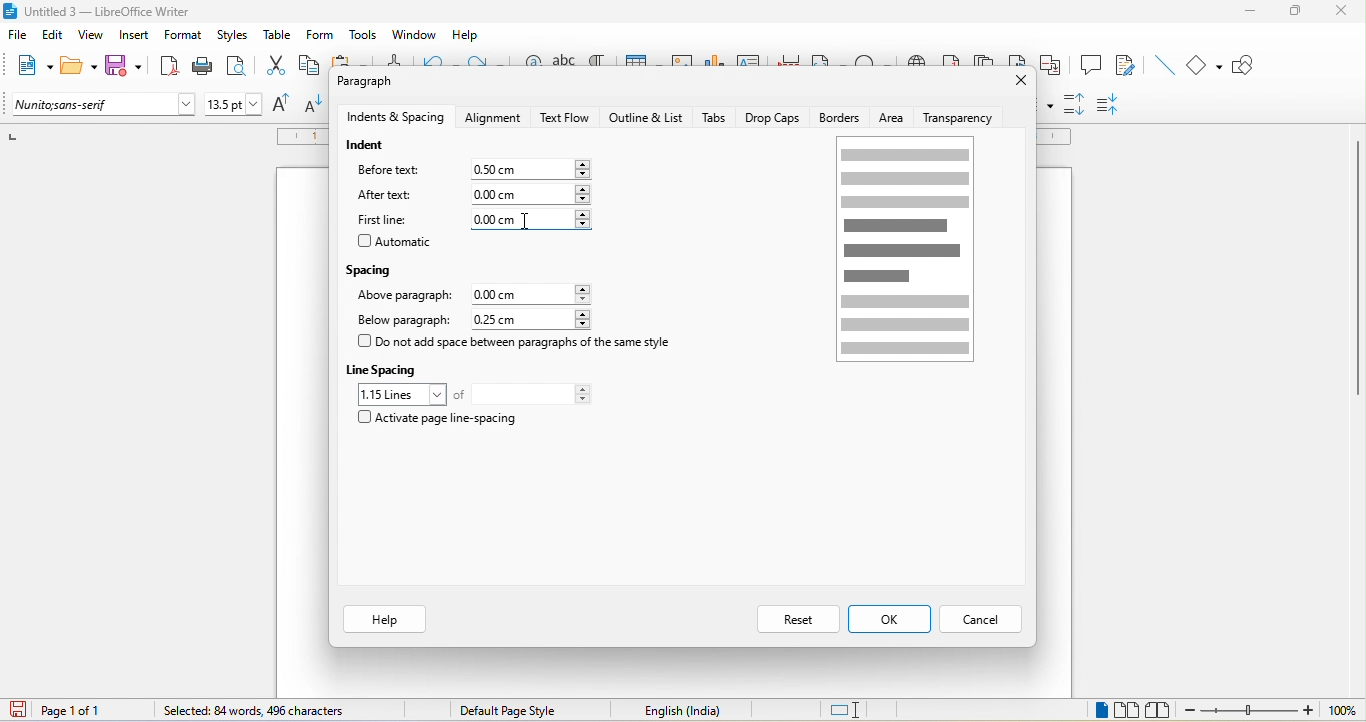 The height and width of the screenshot is (722, 1366). Describe the element at coordinates (362, 36) in the screenshot. I see `tools` at that location.